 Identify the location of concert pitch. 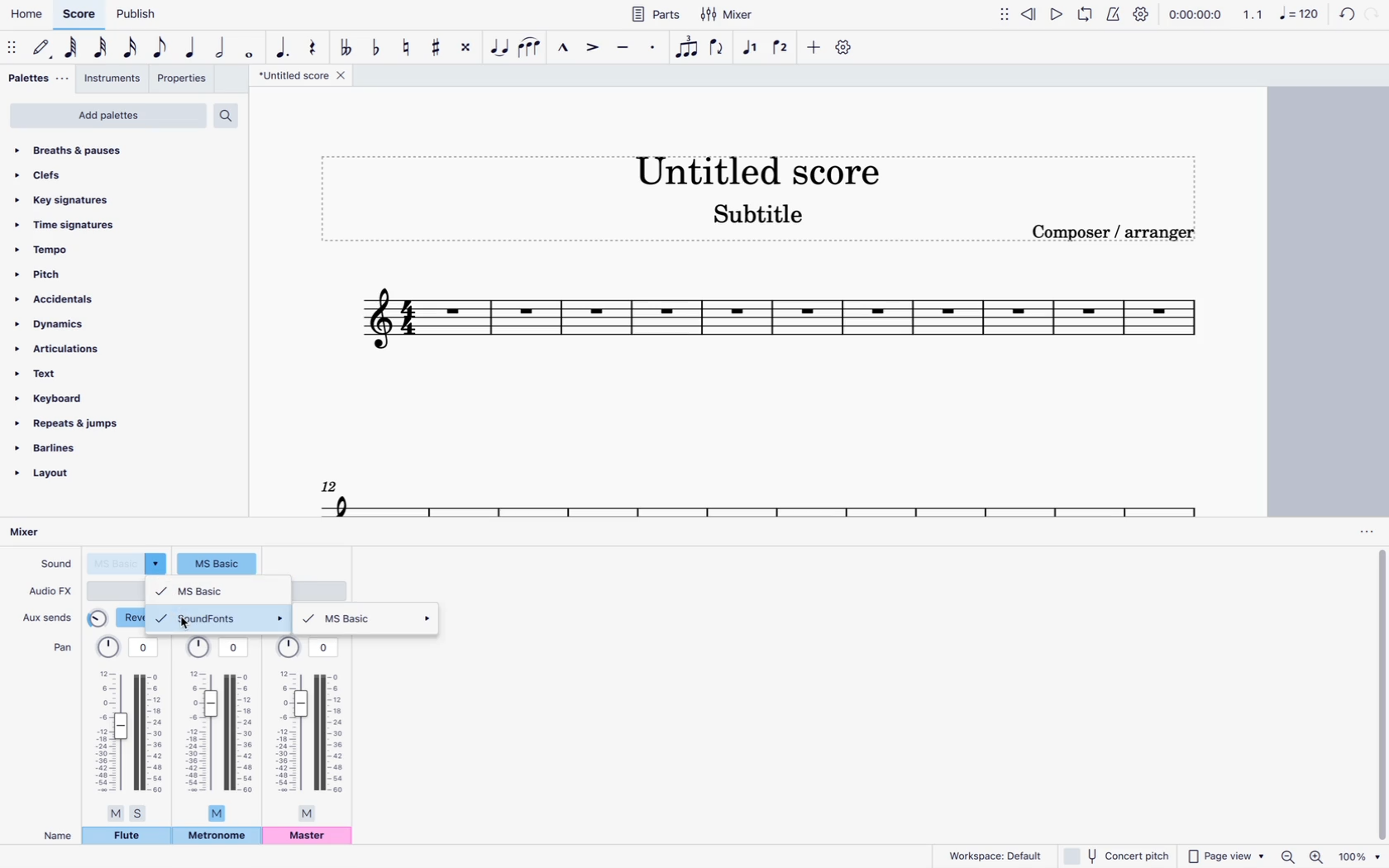
(1115, 855).